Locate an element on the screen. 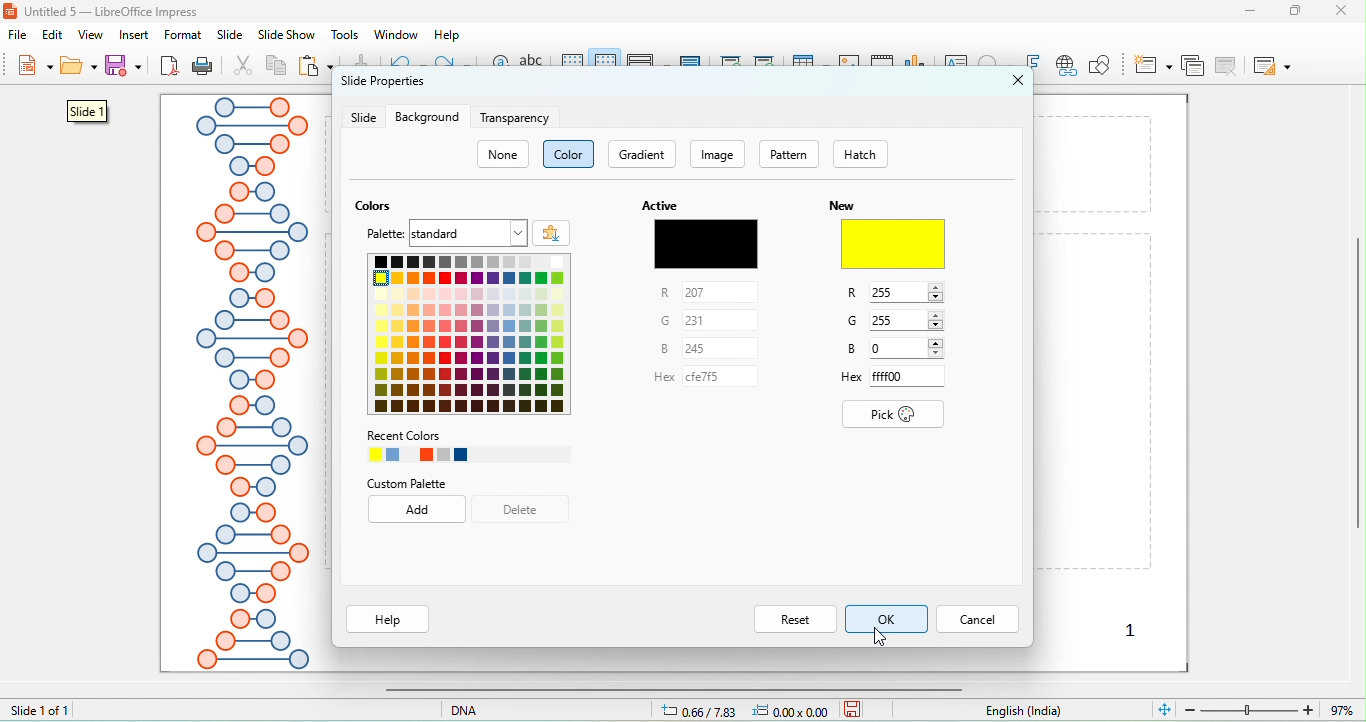 This screenshot has height=722, width=1366. DNA theme is located at coordinates (250, 384).